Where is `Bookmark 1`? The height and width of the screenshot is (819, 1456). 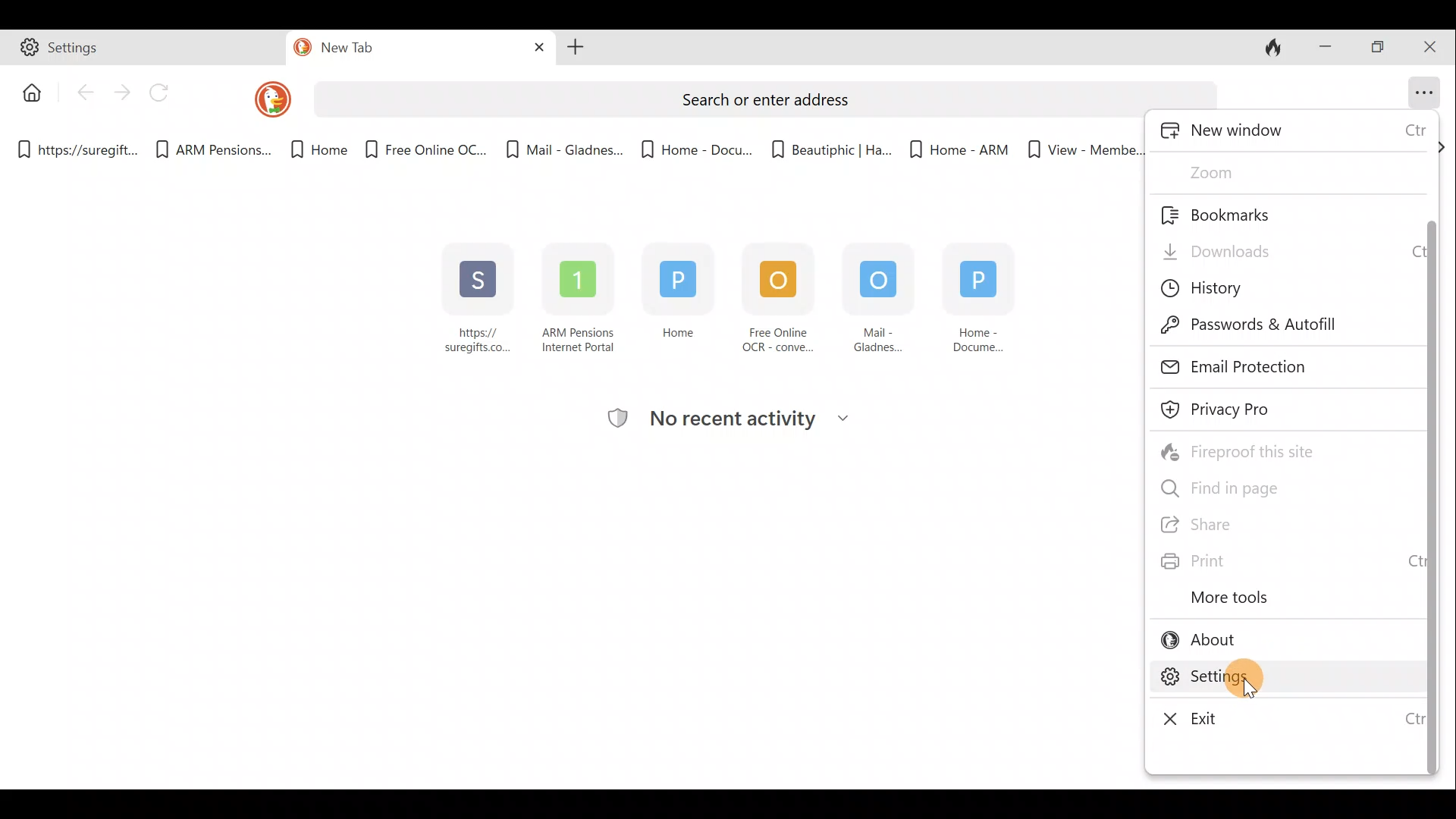 Bookmark 1 is located at coordinates (74, 147).